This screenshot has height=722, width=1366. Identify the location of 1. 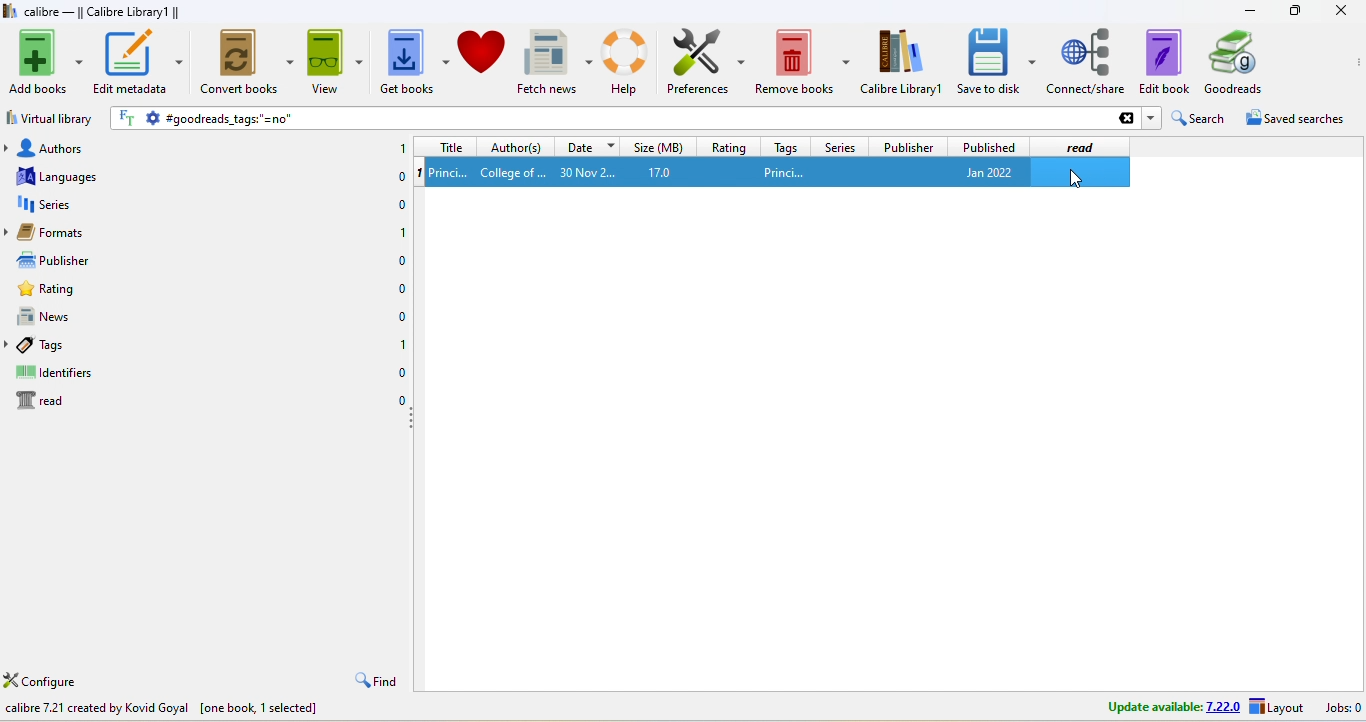
(402, 232).